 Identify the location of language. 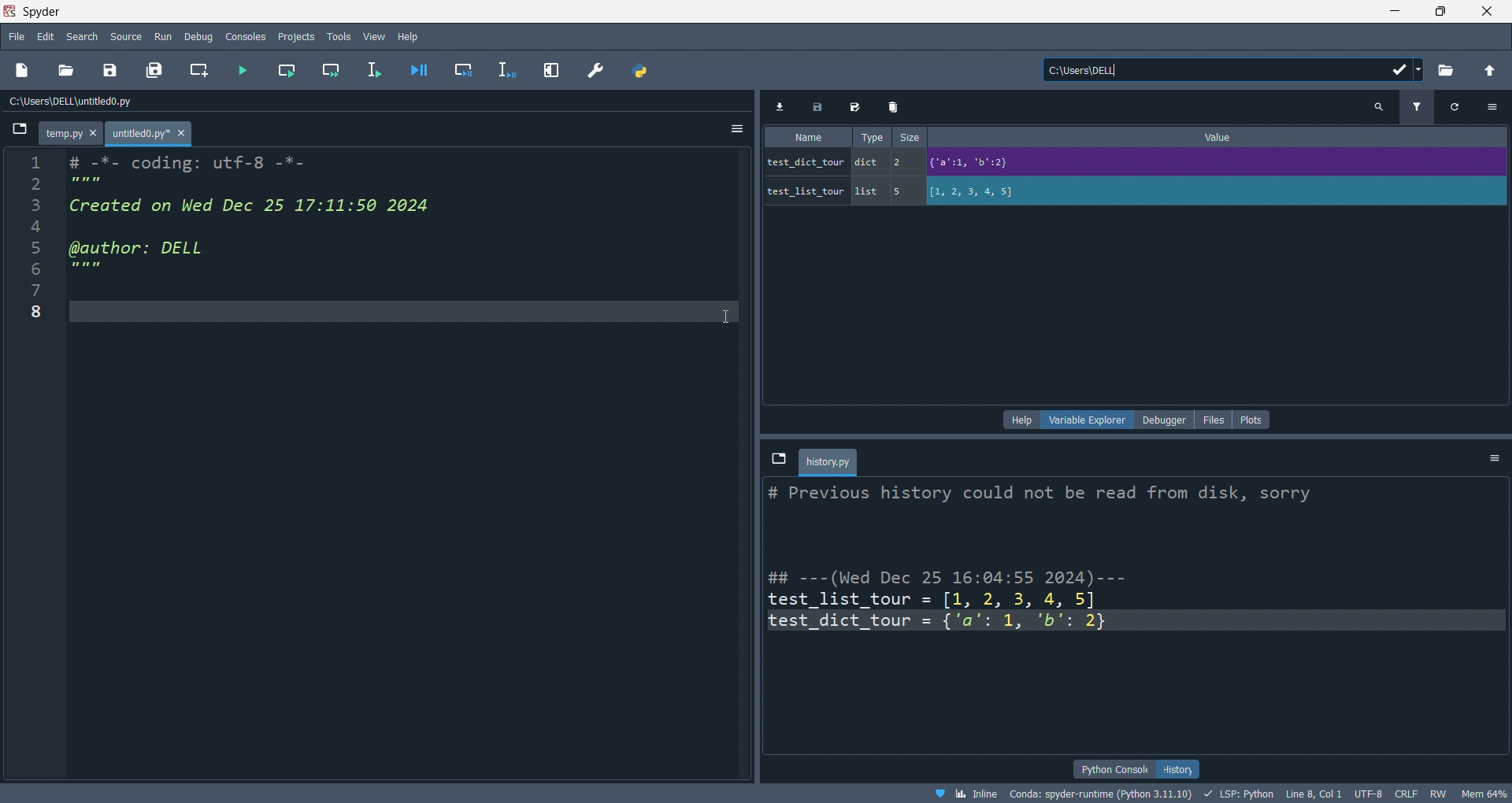
(1237, 794).